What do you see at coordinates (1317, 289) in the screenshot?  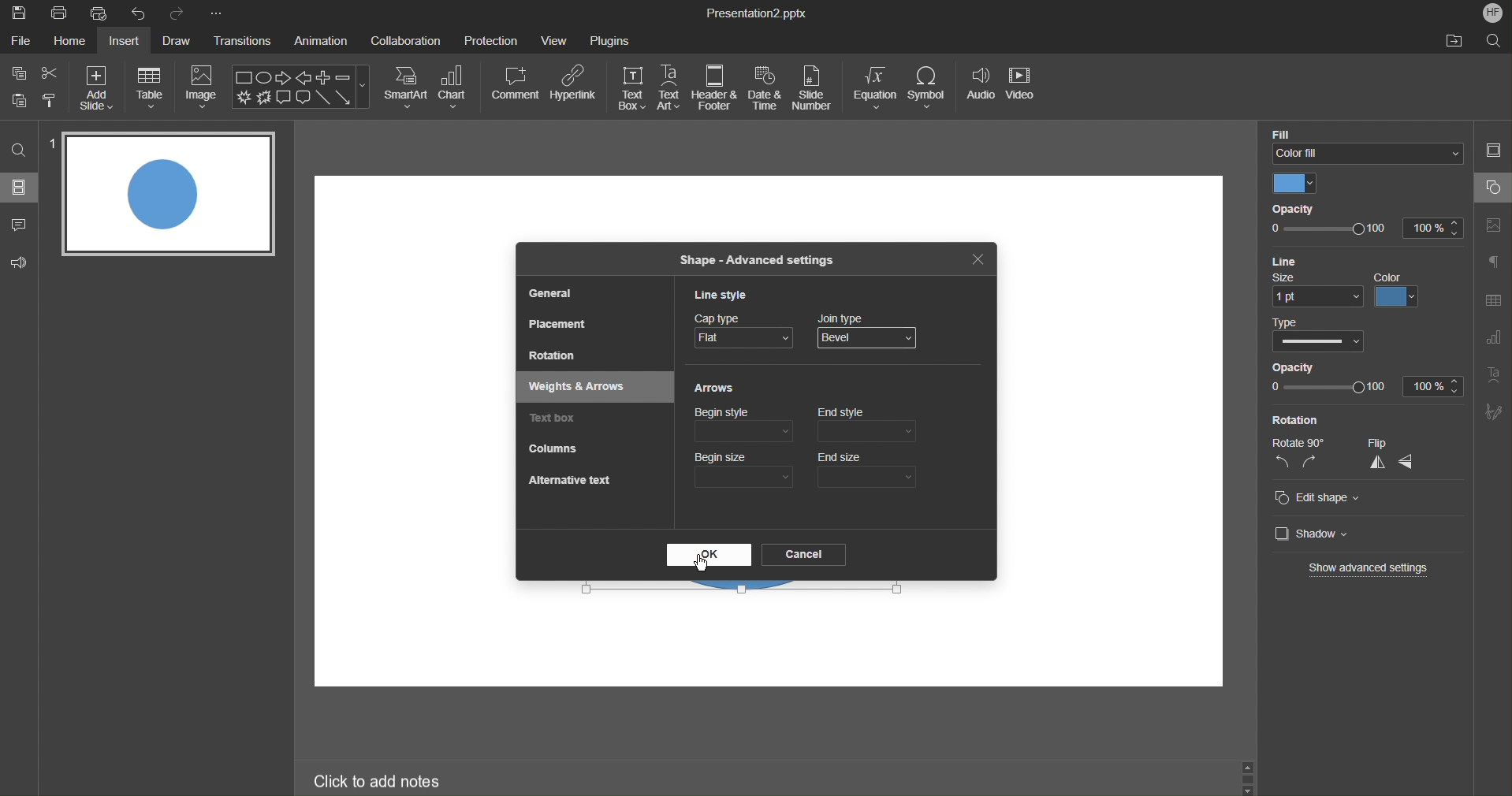 I see `size` at bounding box center [1317, 289].